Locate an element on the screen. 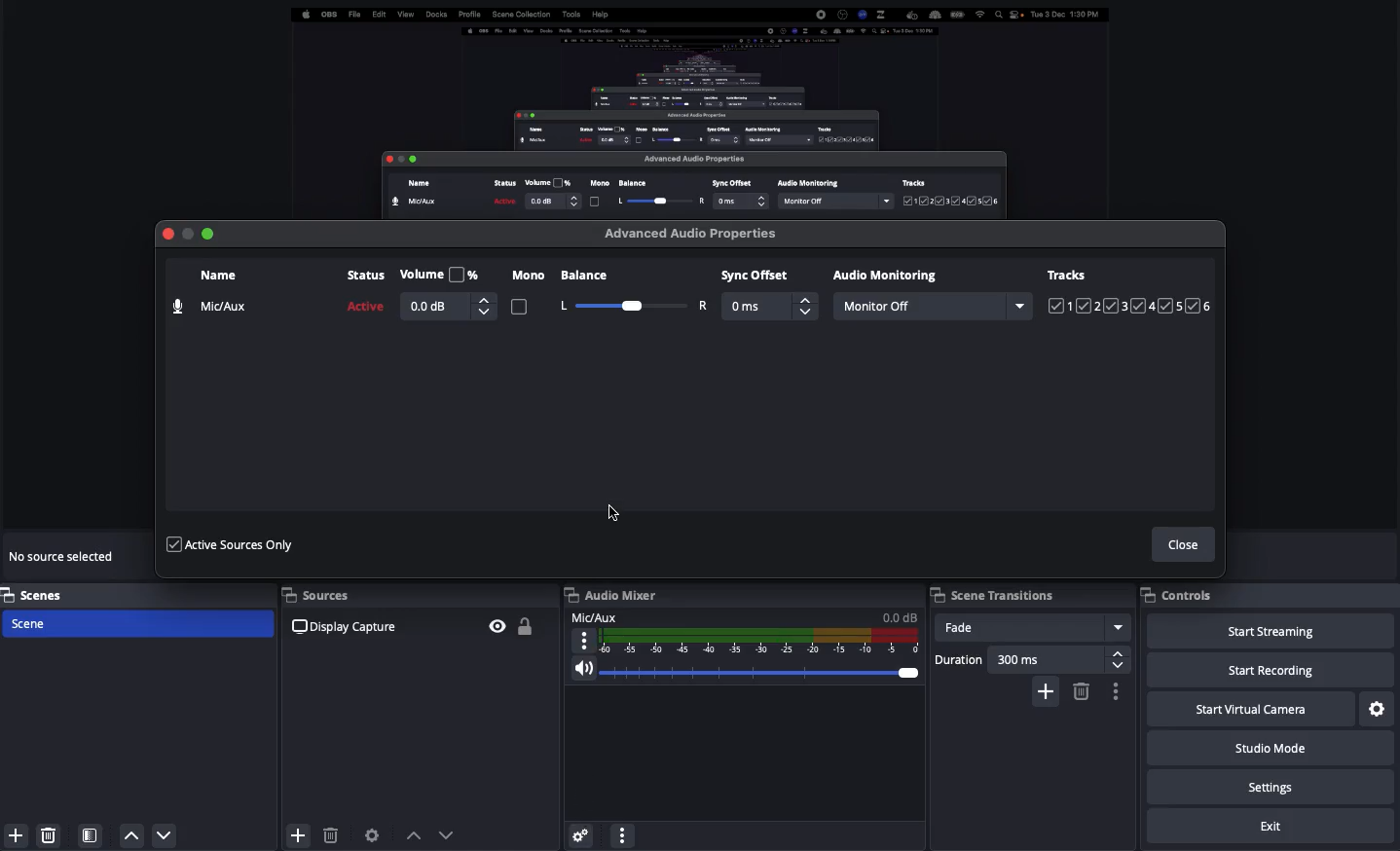  Start streaming is located at coordinates (1272, 631).